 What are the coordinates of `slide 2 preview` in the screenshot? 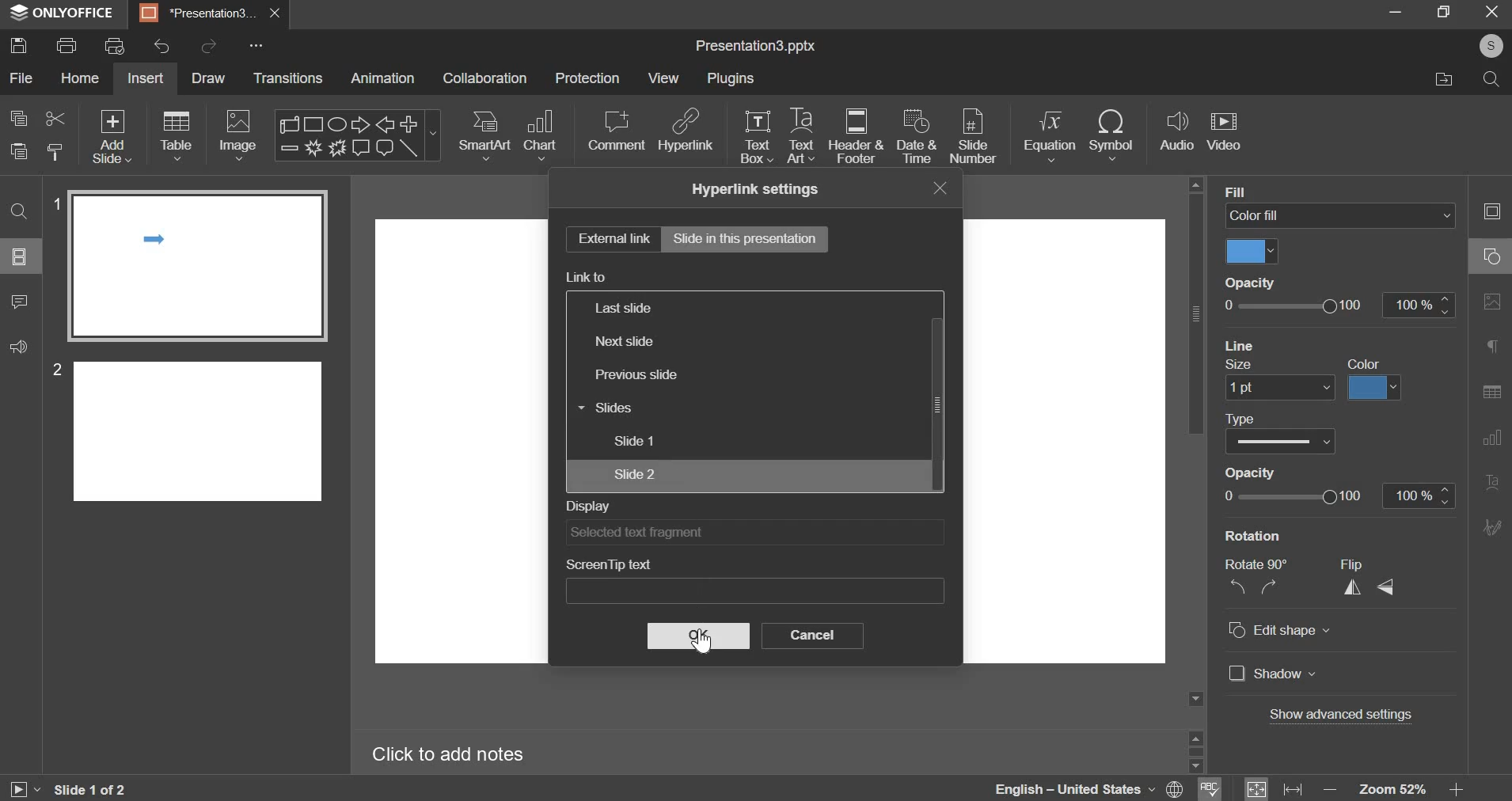 It's located at (199, 429).